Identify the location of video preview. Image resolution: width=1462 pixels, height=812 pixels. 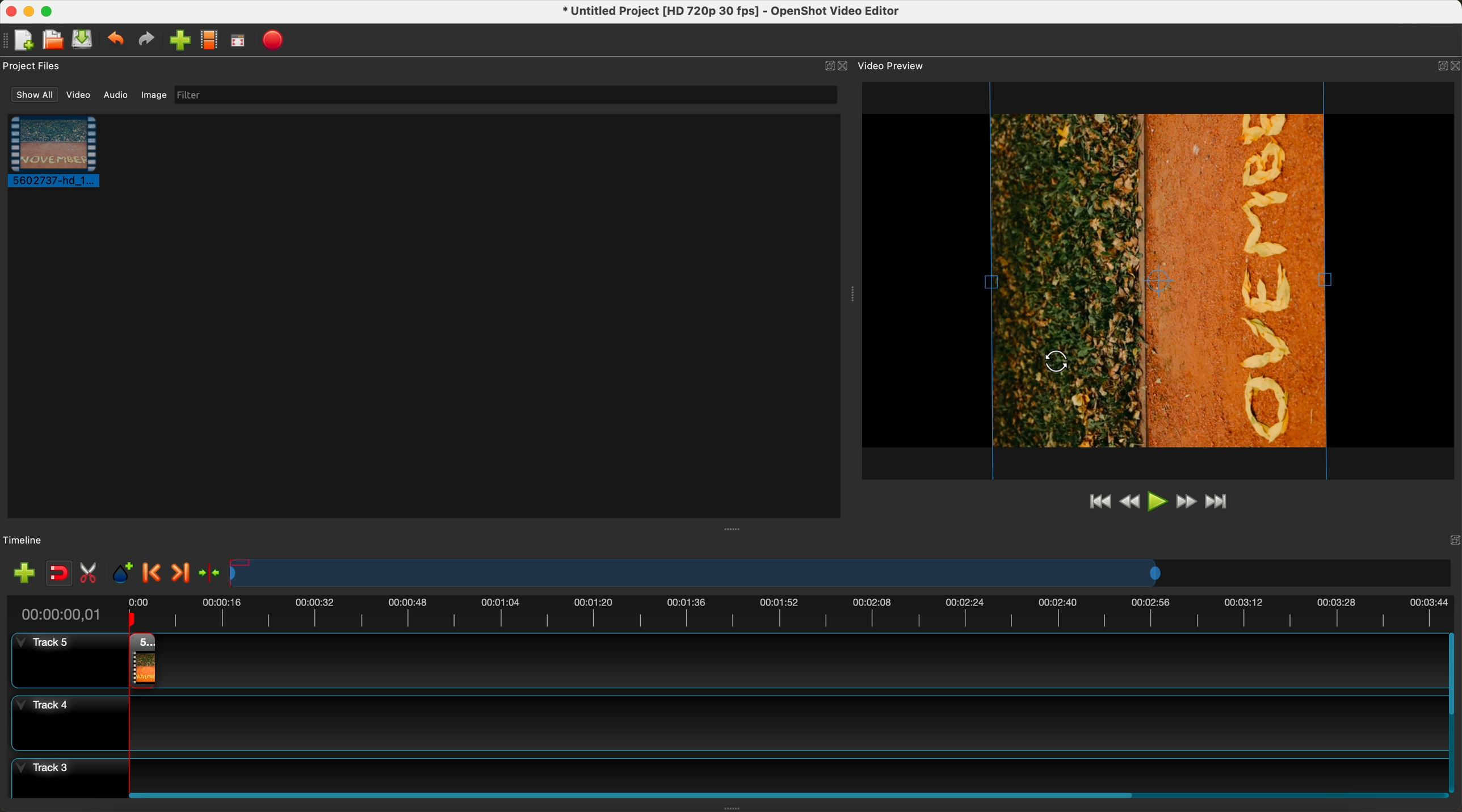
(892, 65).